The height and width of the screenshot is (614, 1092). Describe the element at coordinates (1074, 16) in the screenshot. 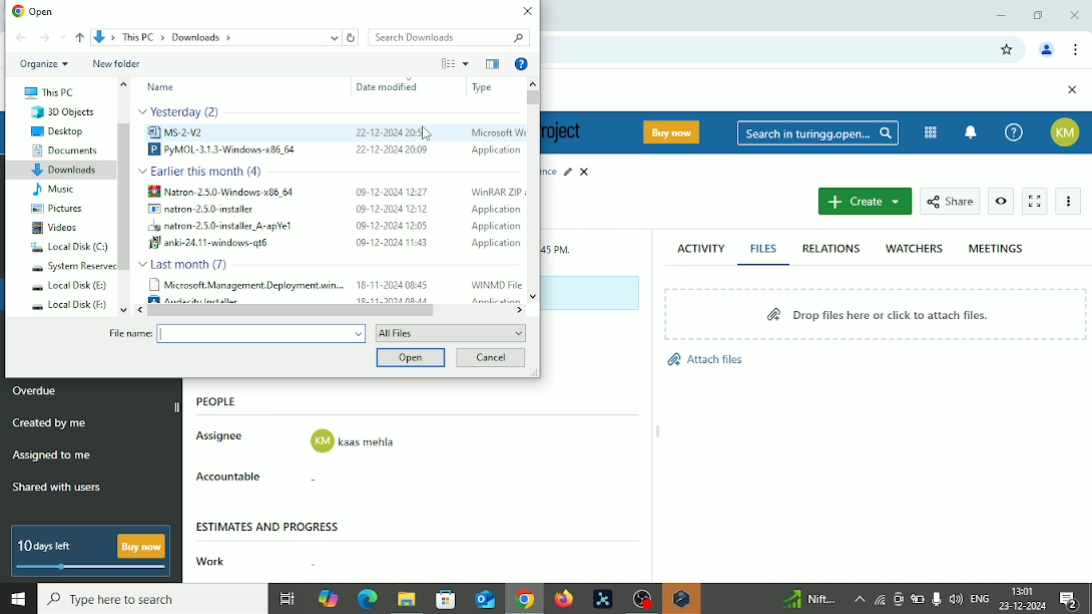

I see `Close` at that location.